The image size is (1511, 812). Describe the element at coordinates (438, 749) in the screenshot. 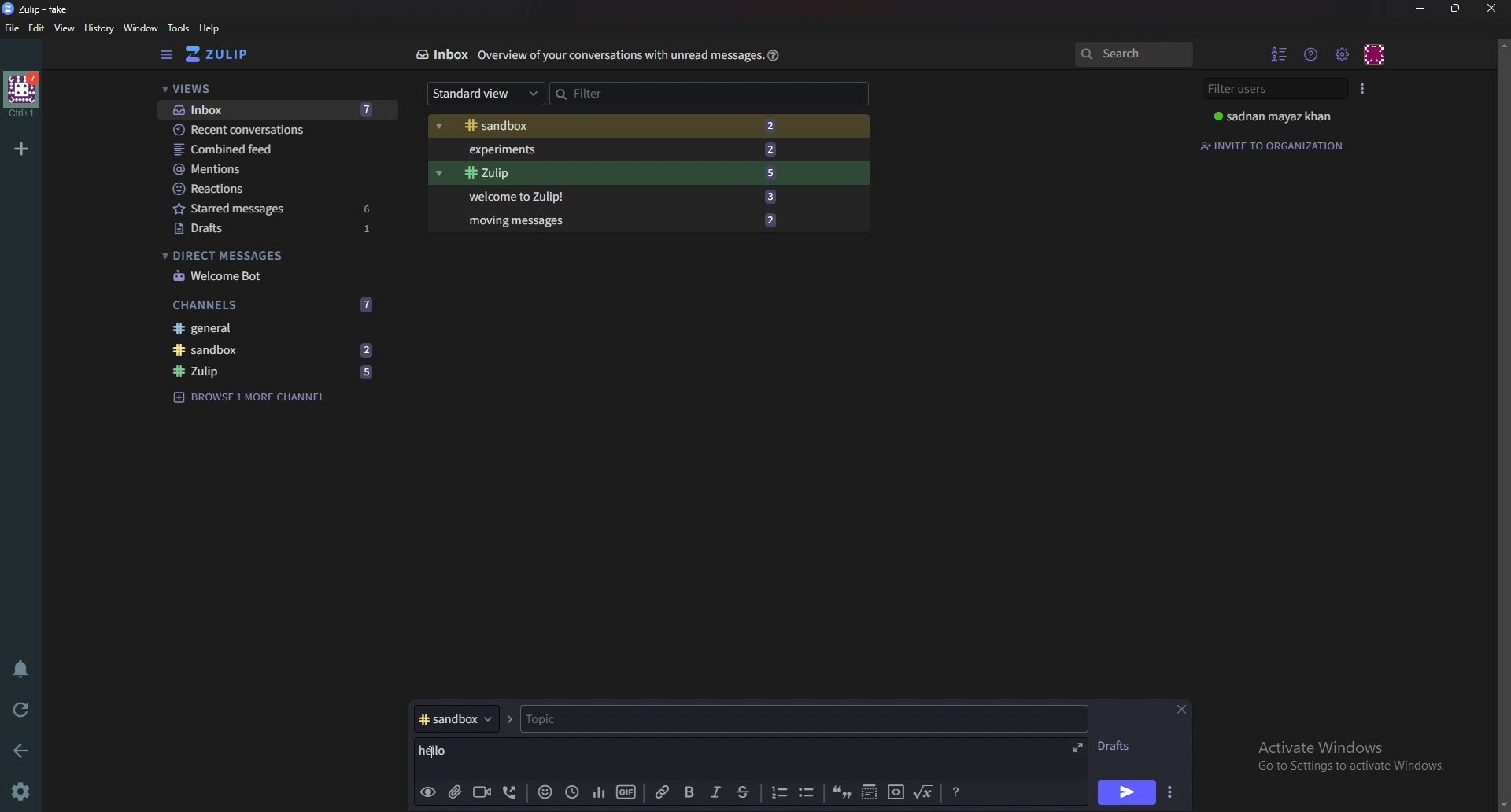

I see `cursor` at that location.